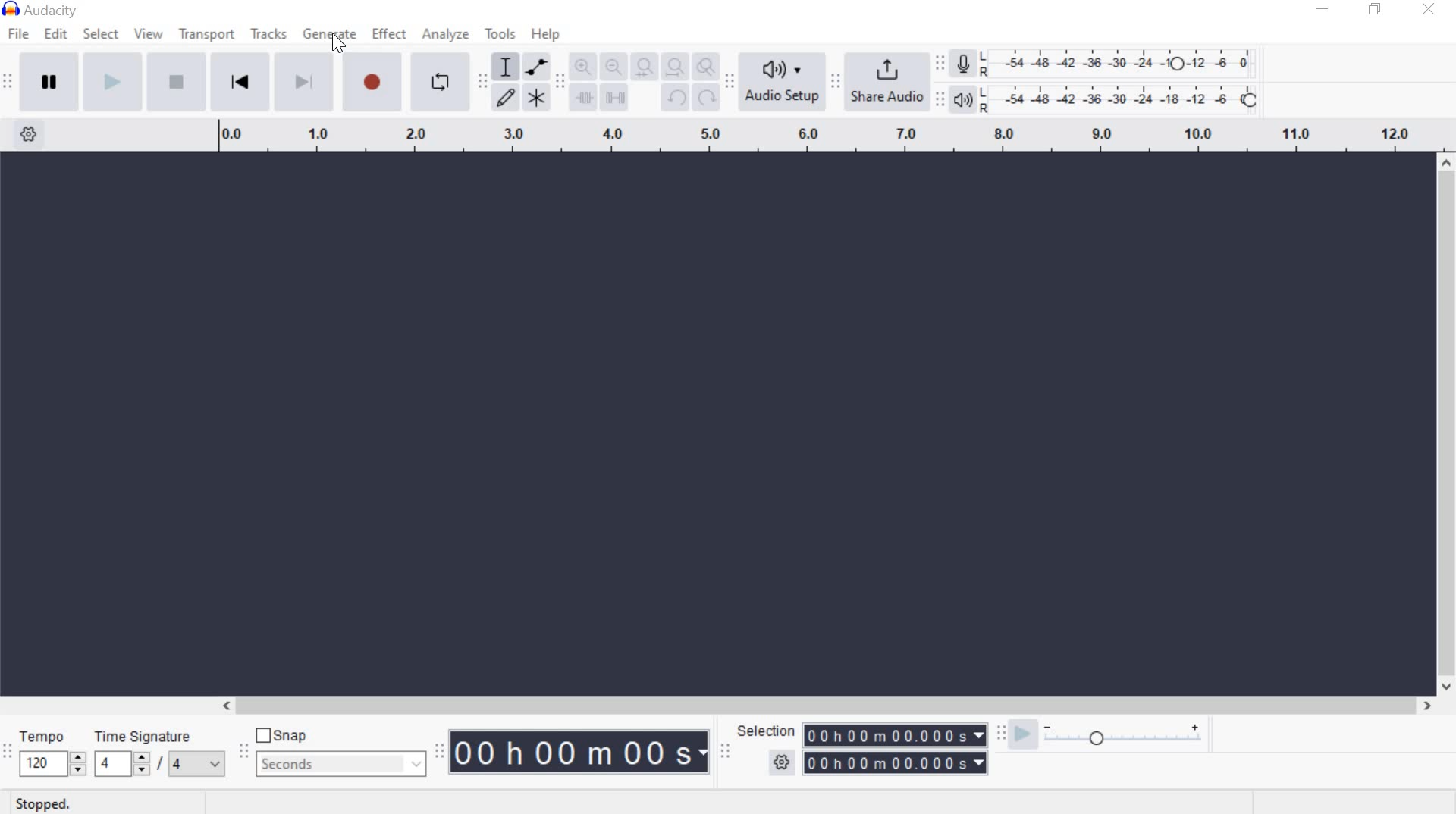 Image resolution: width=1456 pixels, height=814 pixels. I want to click on file, so click(17, 35).